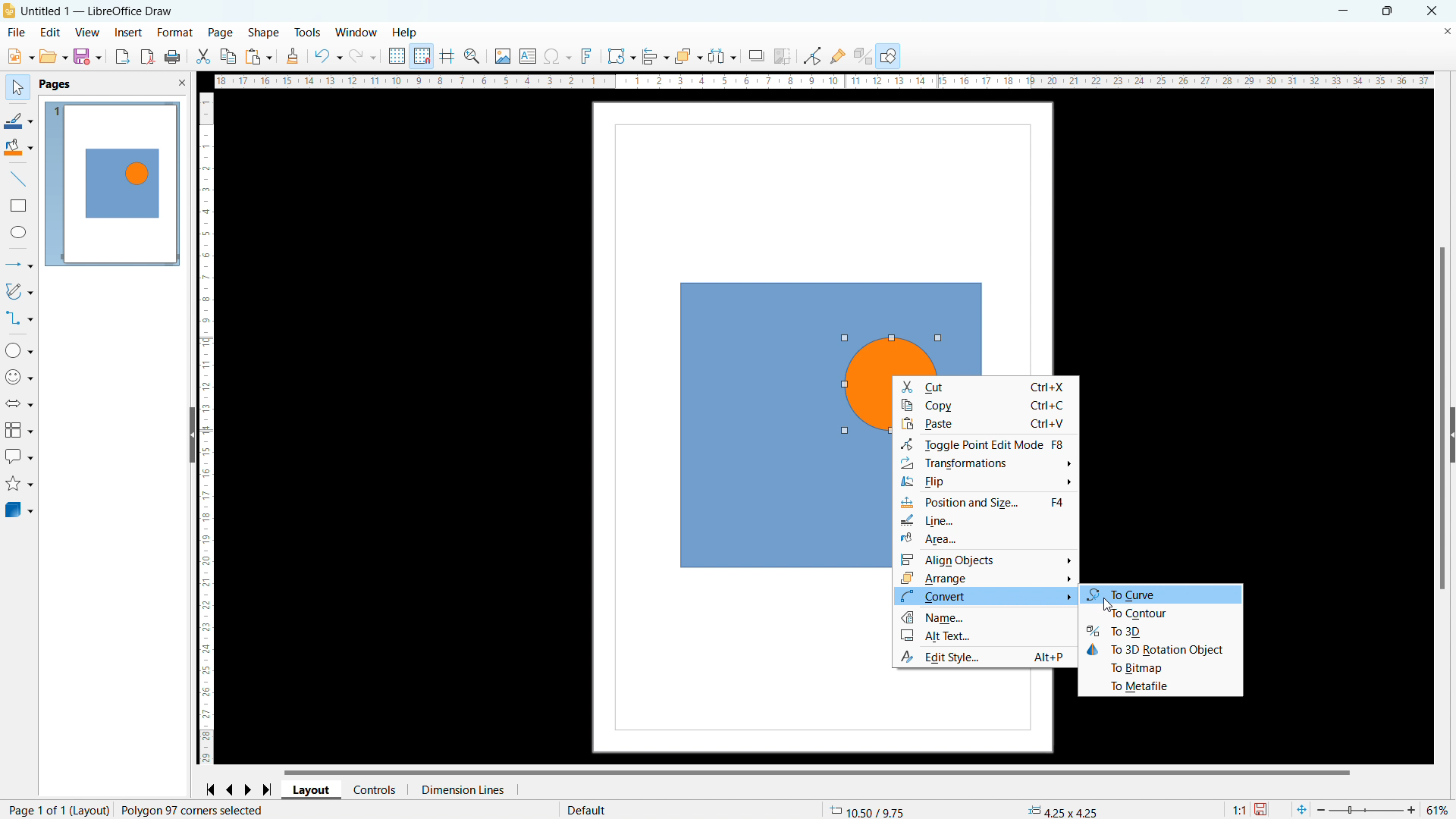 This screenshot has height=819, width=1456. What do you see at coordinates (864, 56) in the screenshot?
I see `show extrusions` at bounding box center [864, 56].